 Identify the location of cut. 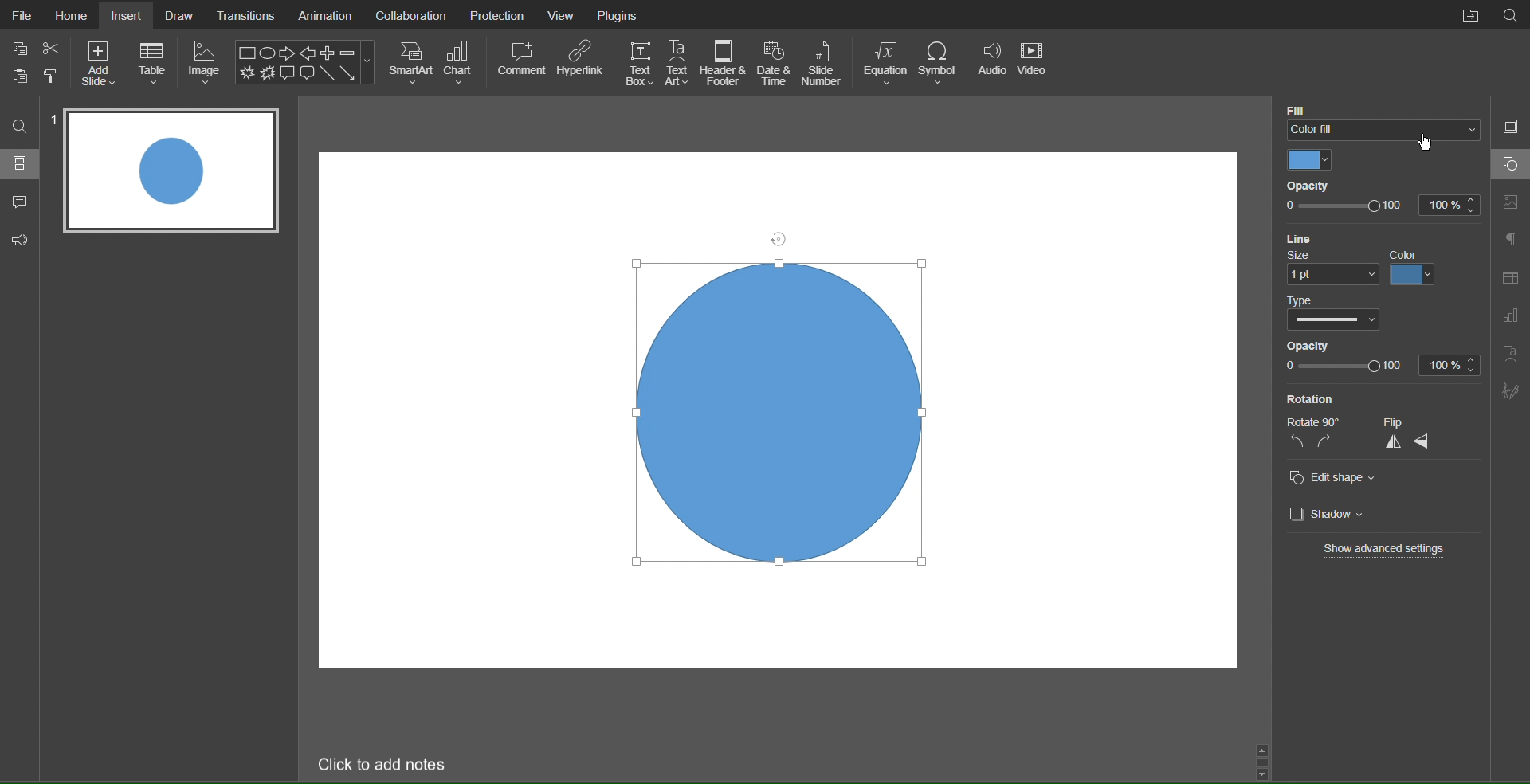
(48, 48).